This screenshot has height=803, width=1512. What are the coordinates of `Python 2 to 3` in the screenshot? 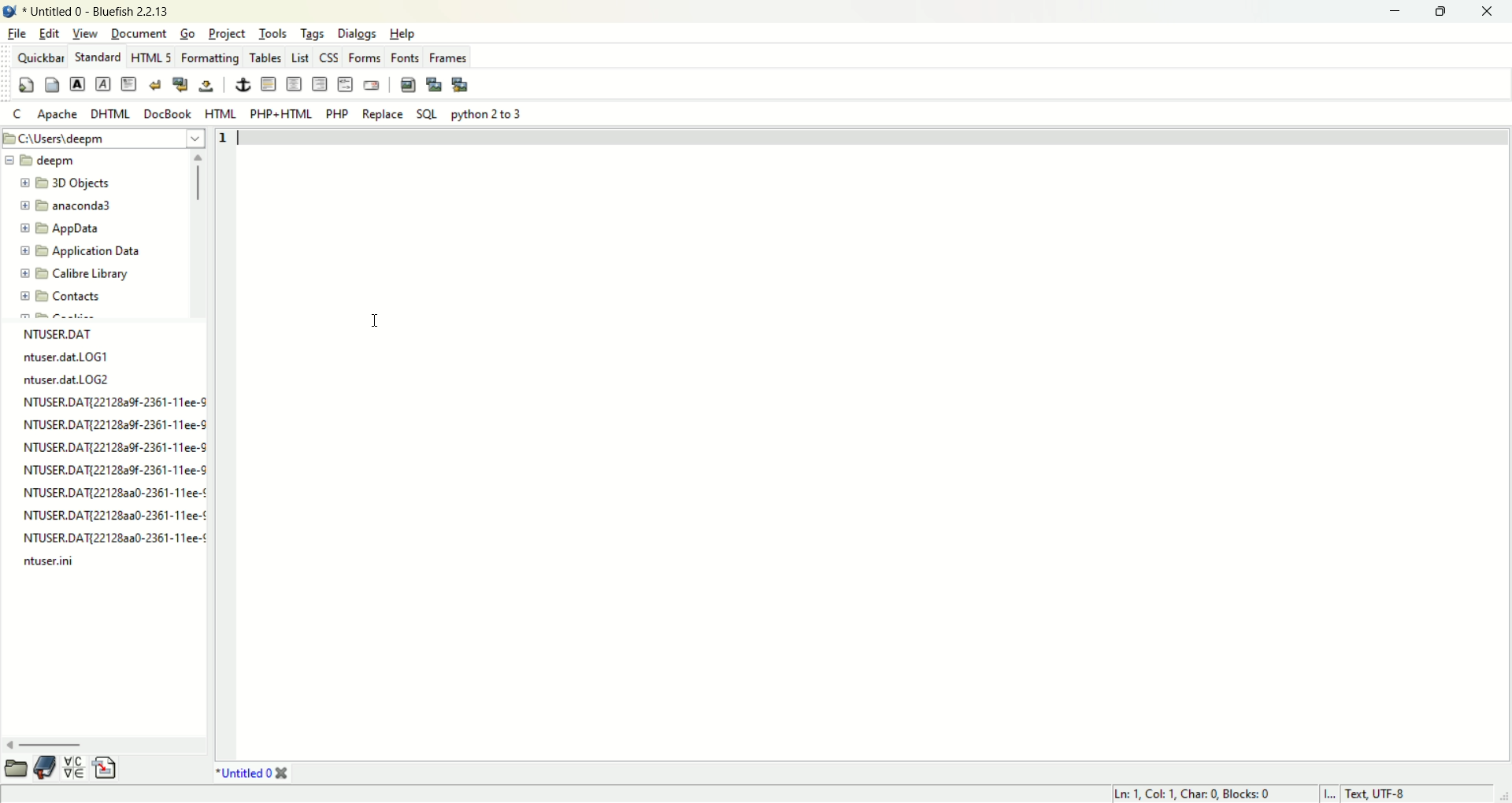 It's located at (487, 115).